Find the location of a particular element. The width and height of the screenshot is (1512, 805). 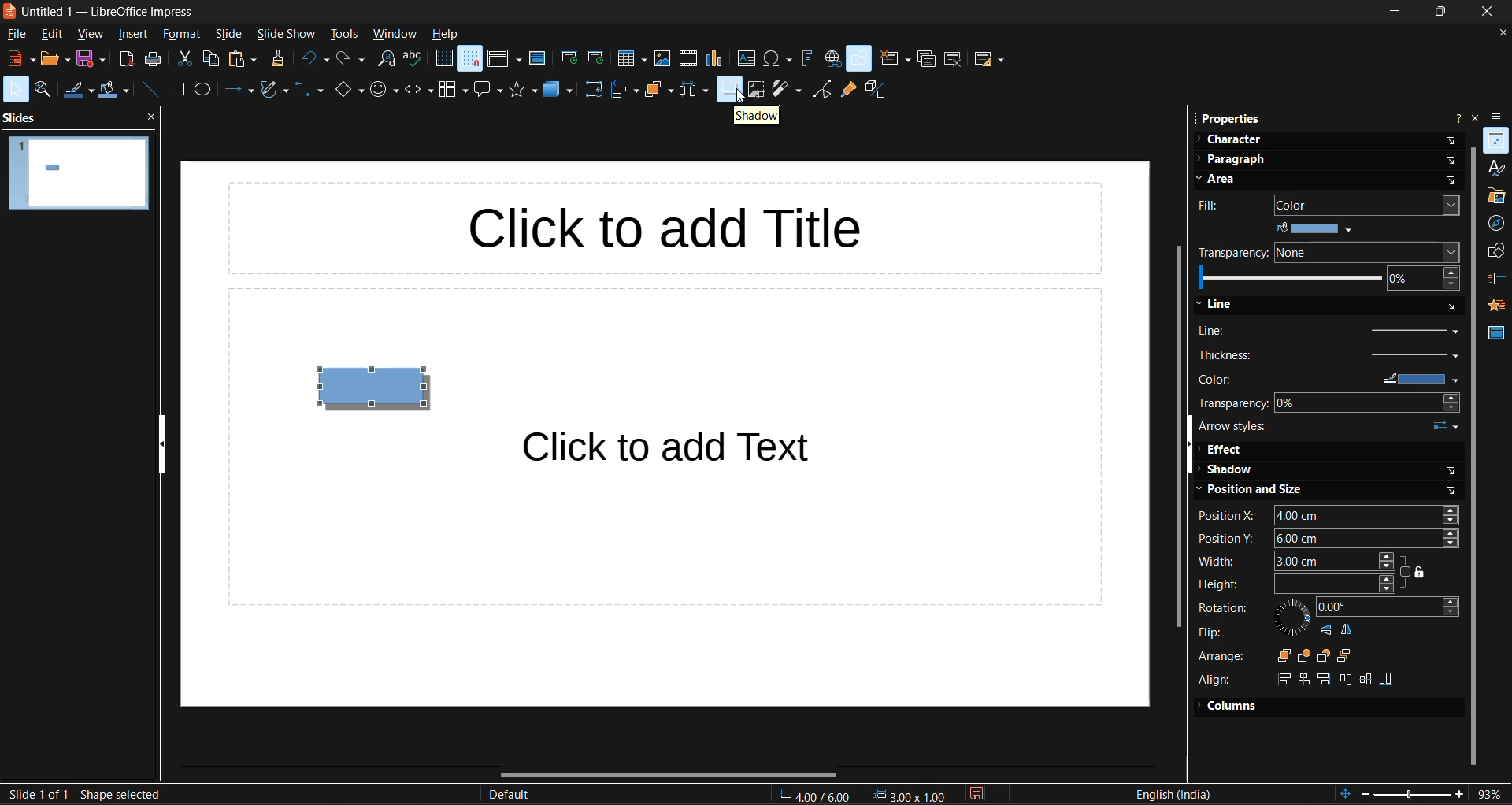

display grid is located at coordinates (442, 58).